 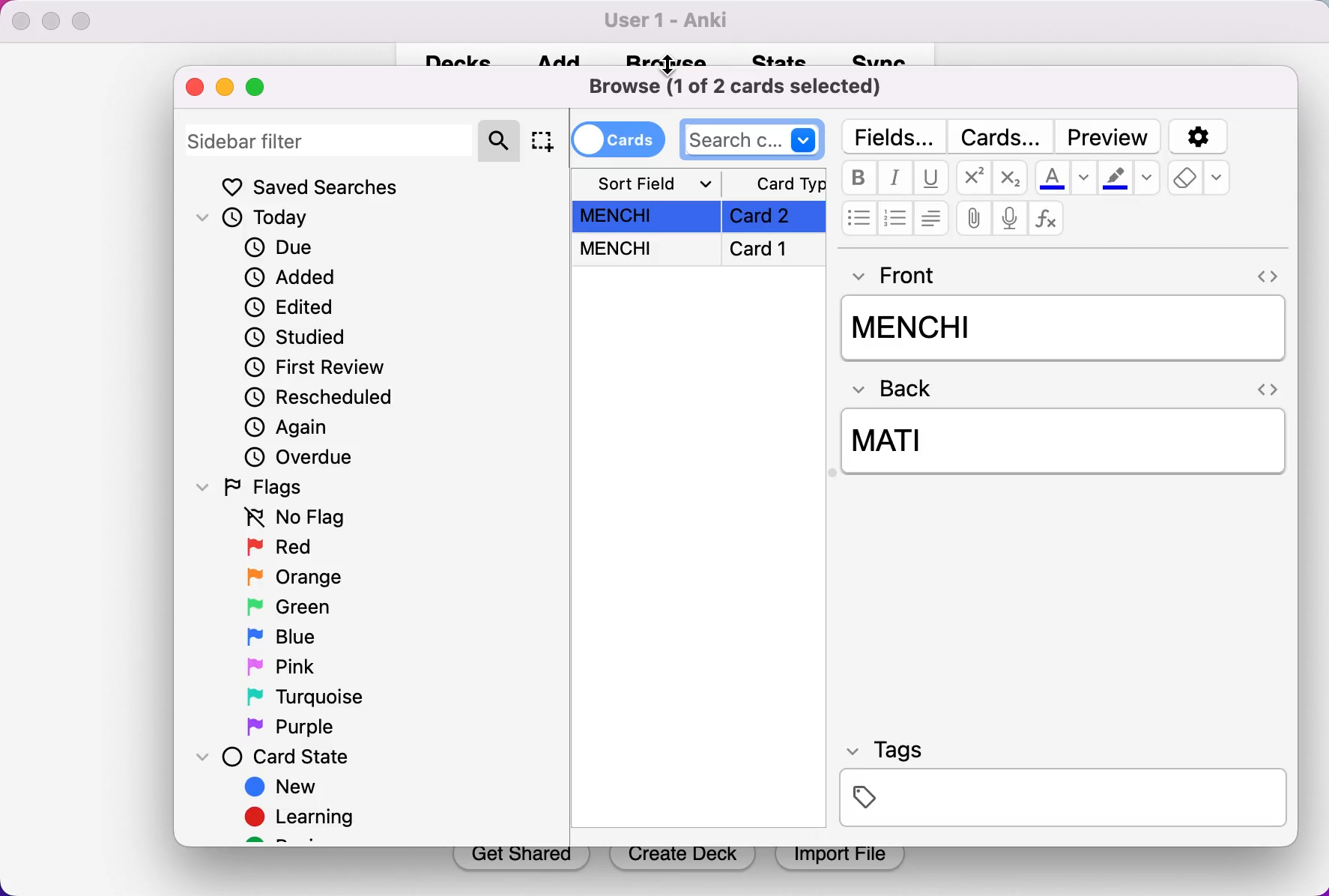 What do you see at coordinates (1002, 133) in the screenshot?
I see `cards` at bounding box center [1002, 133].